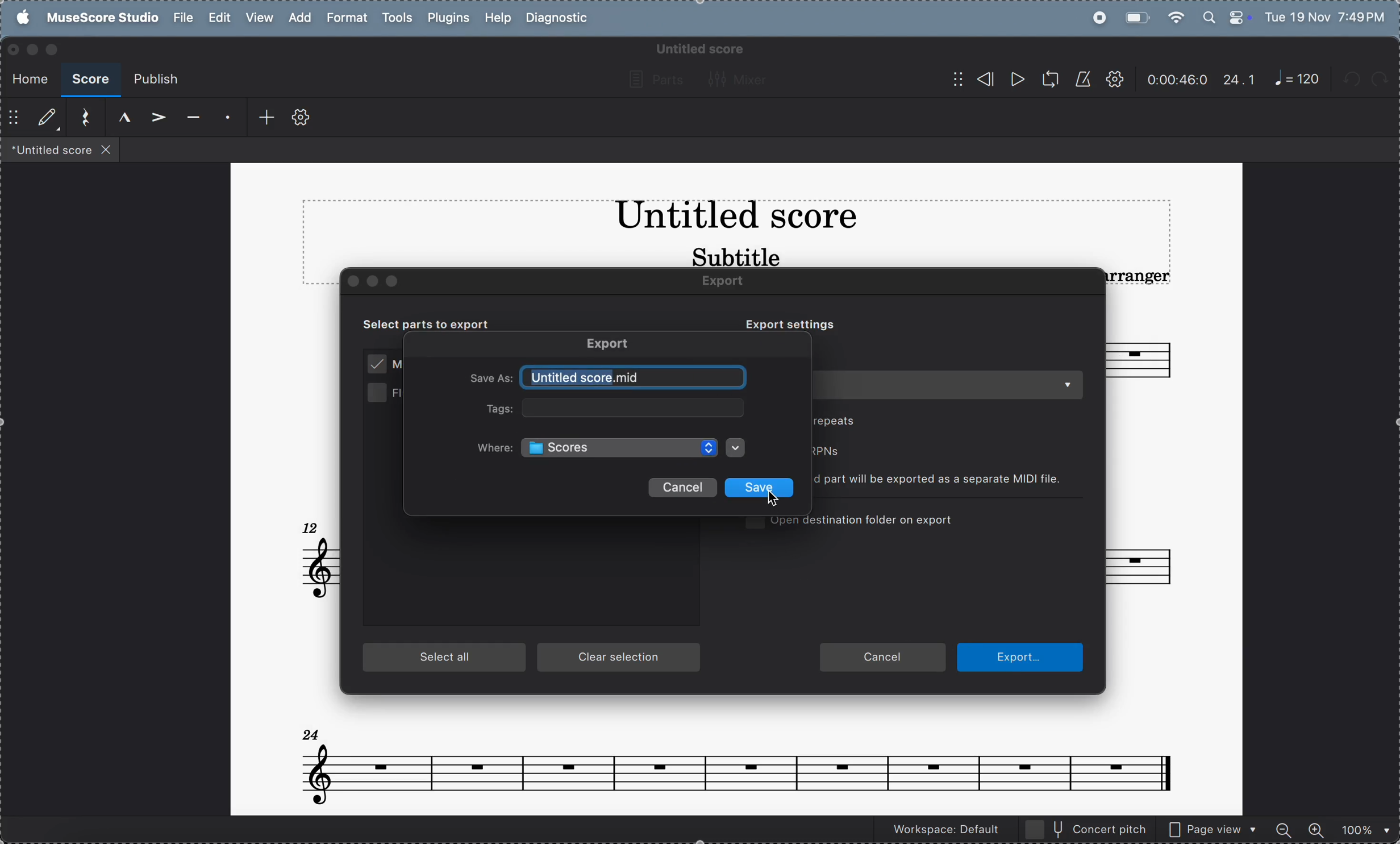  I want to click on home, so click(27, 77).